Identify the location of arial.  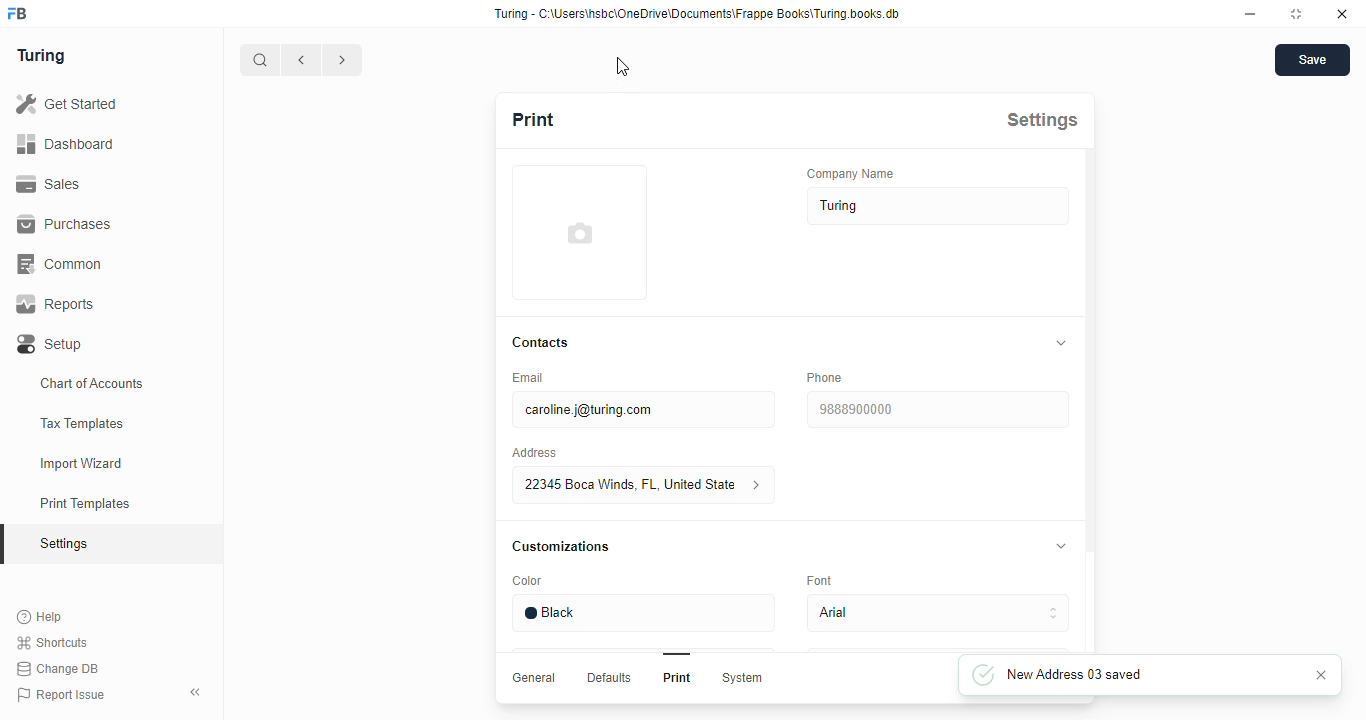
(939, 613).